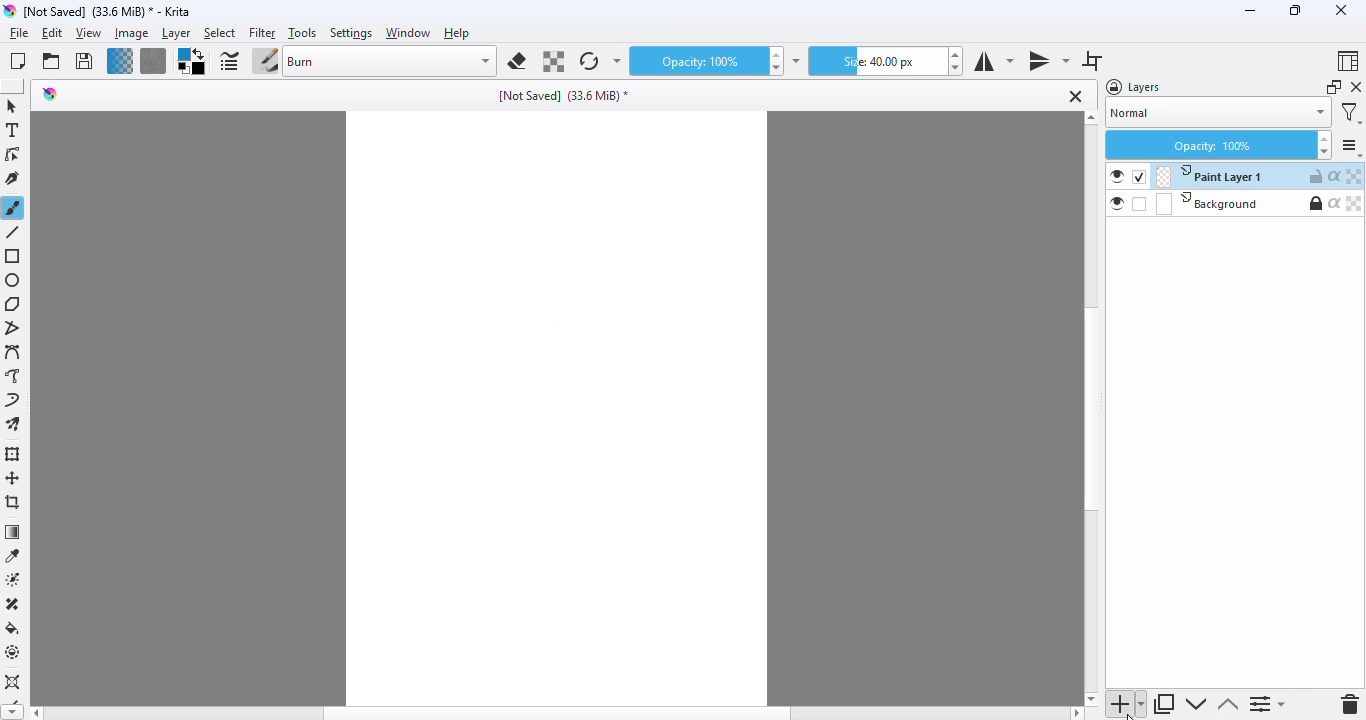 The image size is (1366, 720). Describe the element at coordinates (1268, 705) in the screenshot. I see `view or change the layer properties` at that location.